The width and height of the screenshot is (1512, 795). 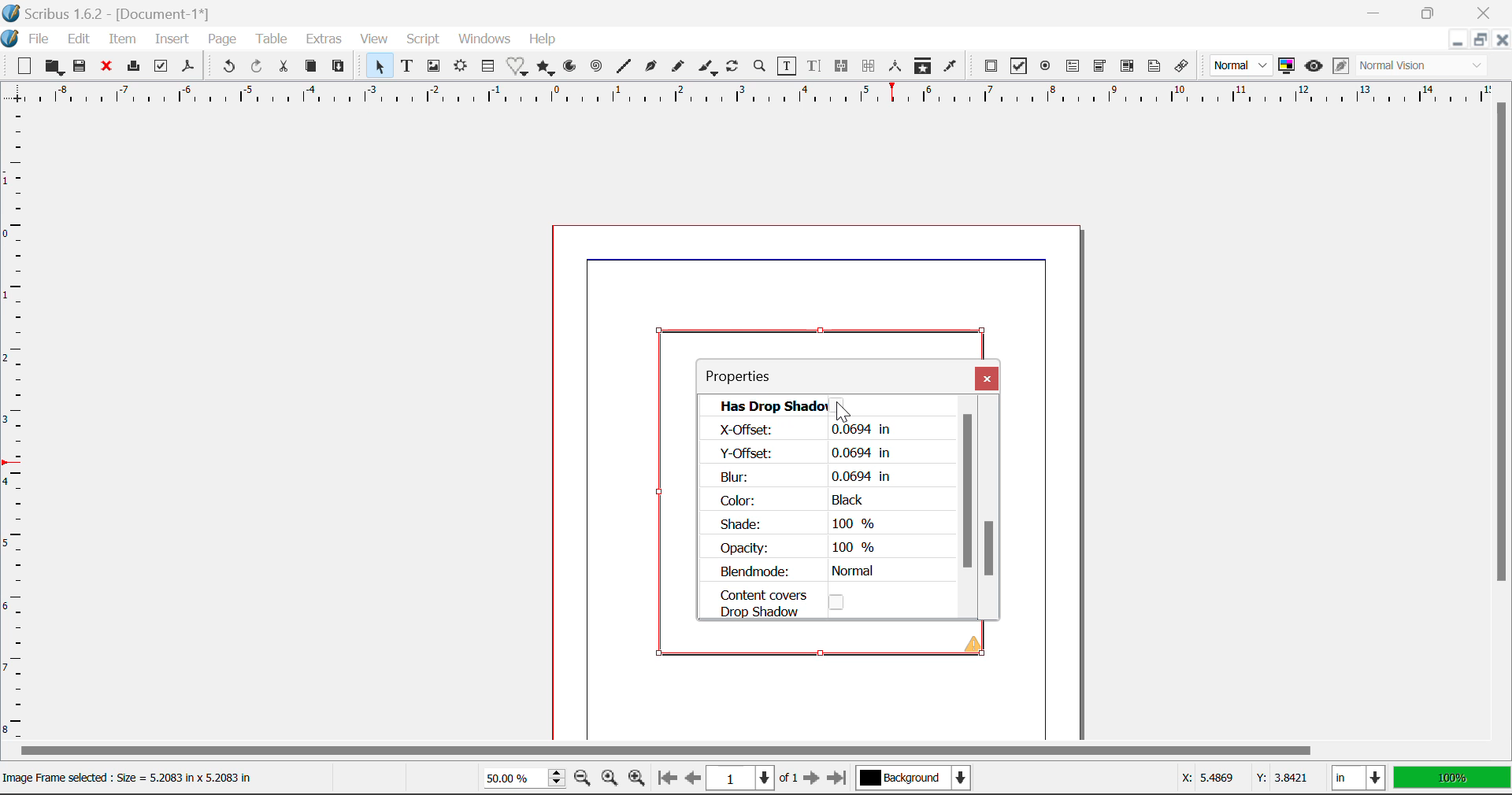 What do you see at coordinates (638, 779) in the screenshot?
I see `Zoom in` at bounding box center [638, 779].